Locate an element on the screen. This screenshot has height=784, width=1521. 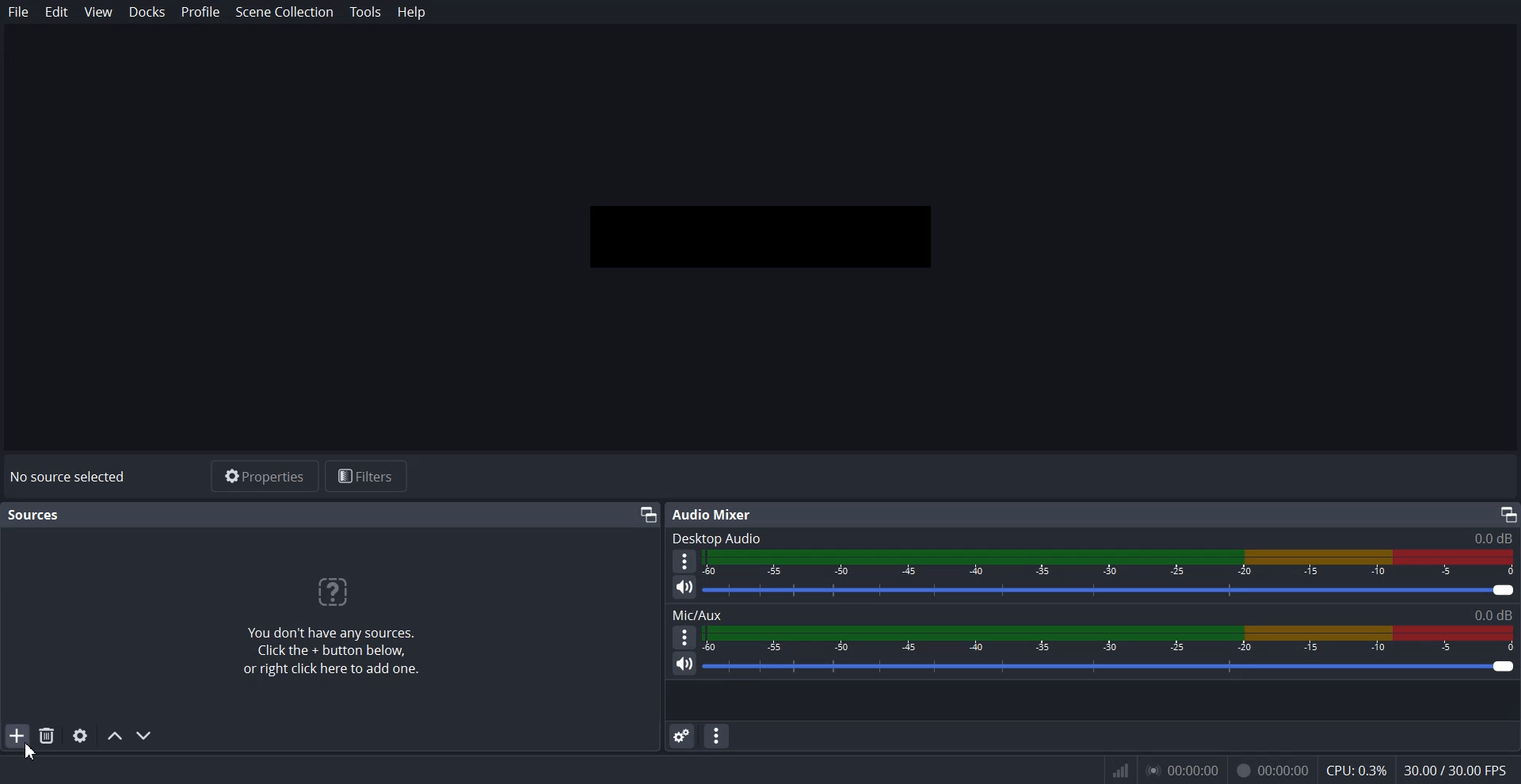
Filters is located at coordinates (367, 475).